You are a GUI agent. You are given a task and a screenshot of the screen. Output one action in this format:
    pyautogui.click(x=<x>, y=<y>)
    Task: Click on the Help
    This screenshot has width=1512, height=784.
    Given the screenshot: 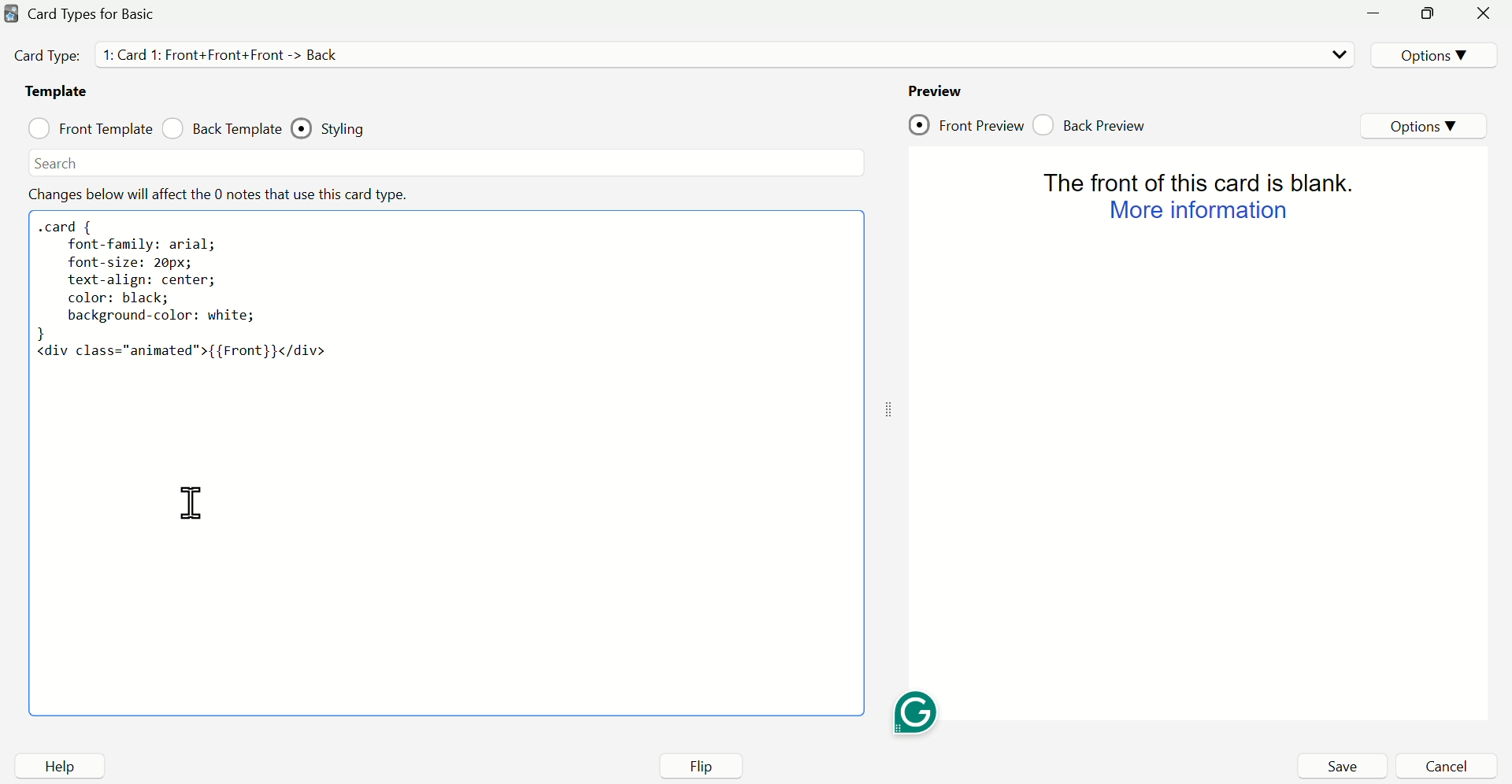 What is the action you would take?
    pyautogui.click(x=57, y=767)
    